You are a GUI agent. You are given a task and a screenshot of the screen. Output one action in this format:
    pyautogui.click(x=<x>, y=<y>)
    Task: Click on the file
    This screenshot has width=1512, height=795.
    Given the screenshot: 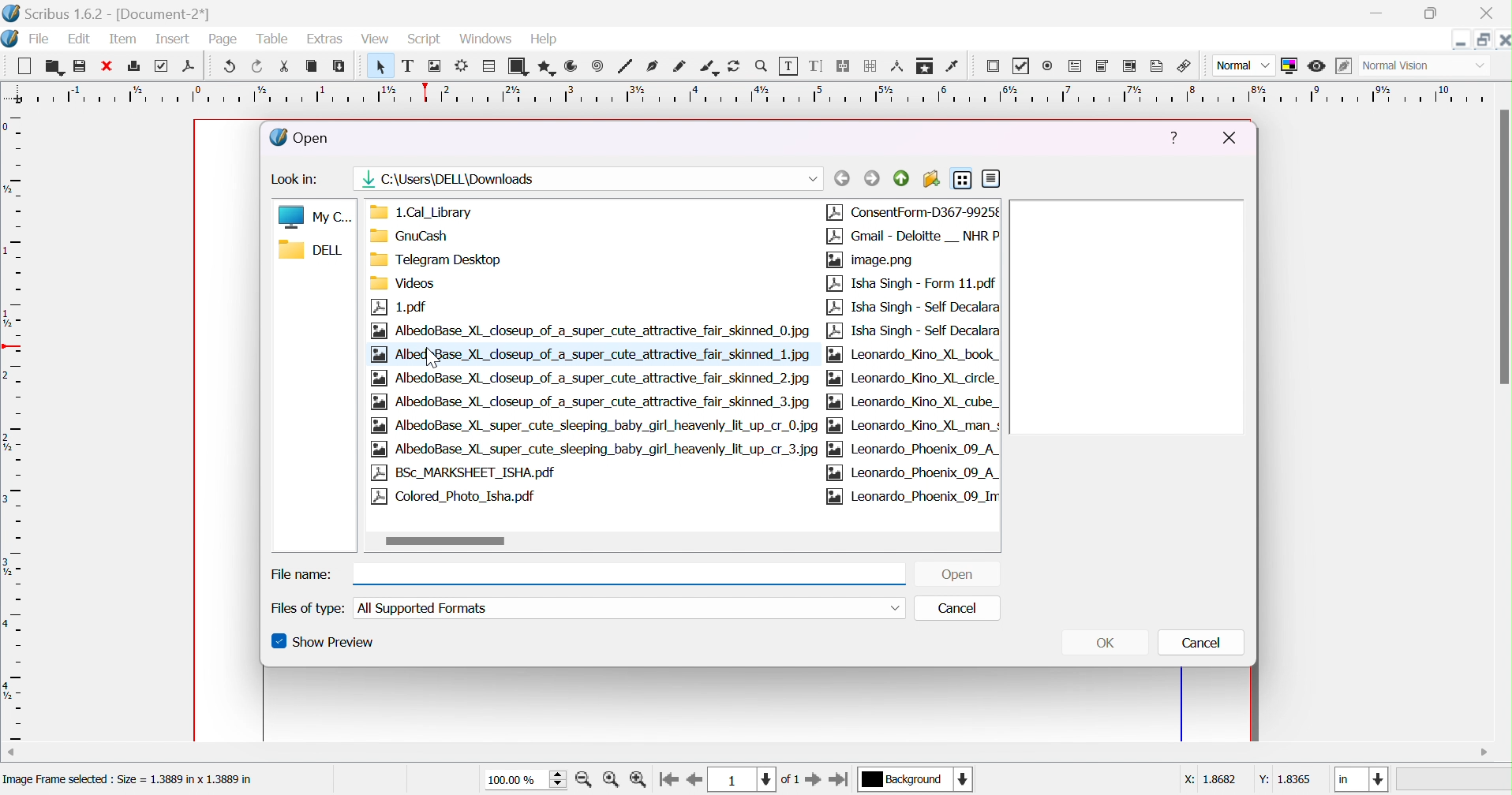 What is the action you would take?
    pyautogui.click(x=39, y=38)
    